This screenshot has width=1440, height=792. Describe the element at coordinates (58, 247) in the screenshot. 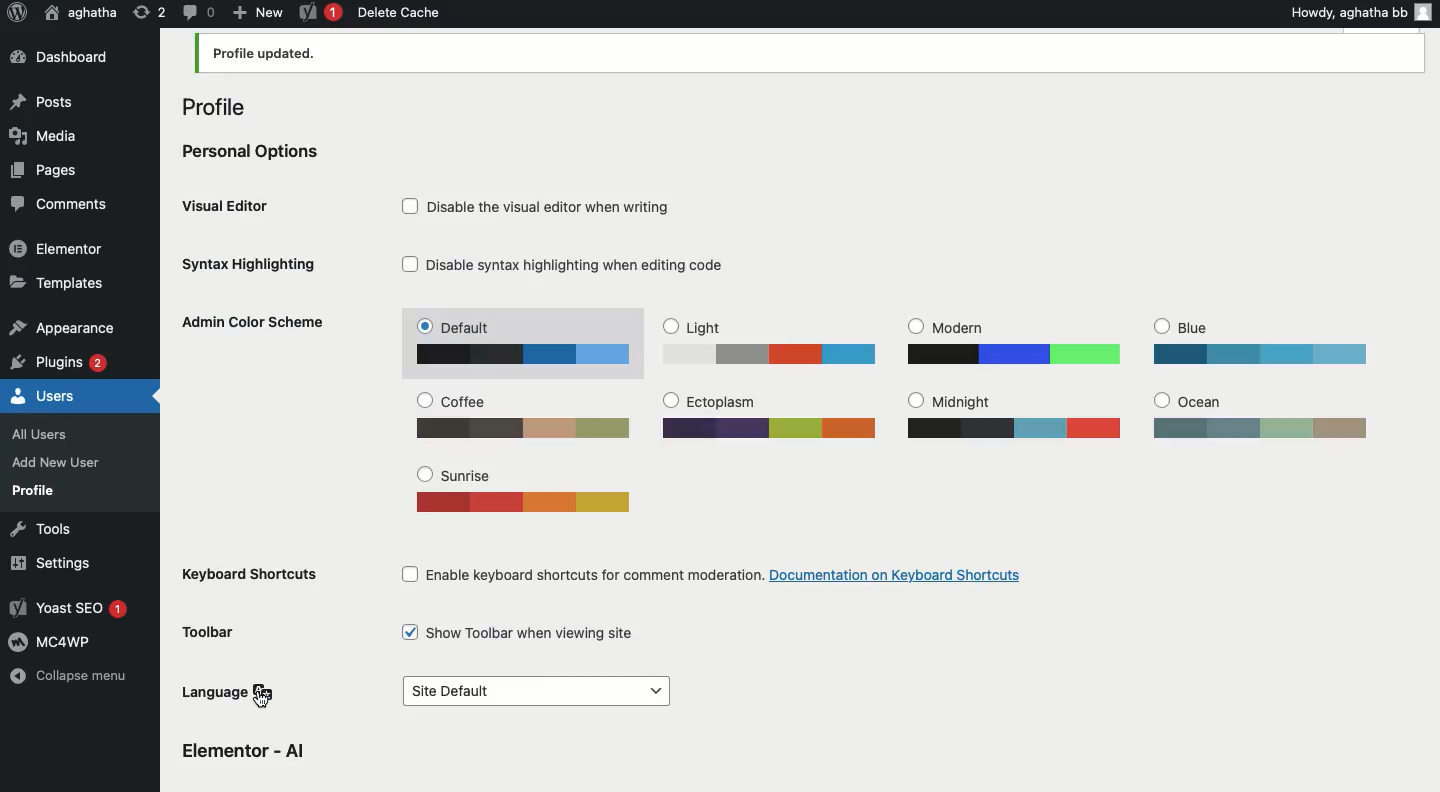

I see `Elementor` at that location.